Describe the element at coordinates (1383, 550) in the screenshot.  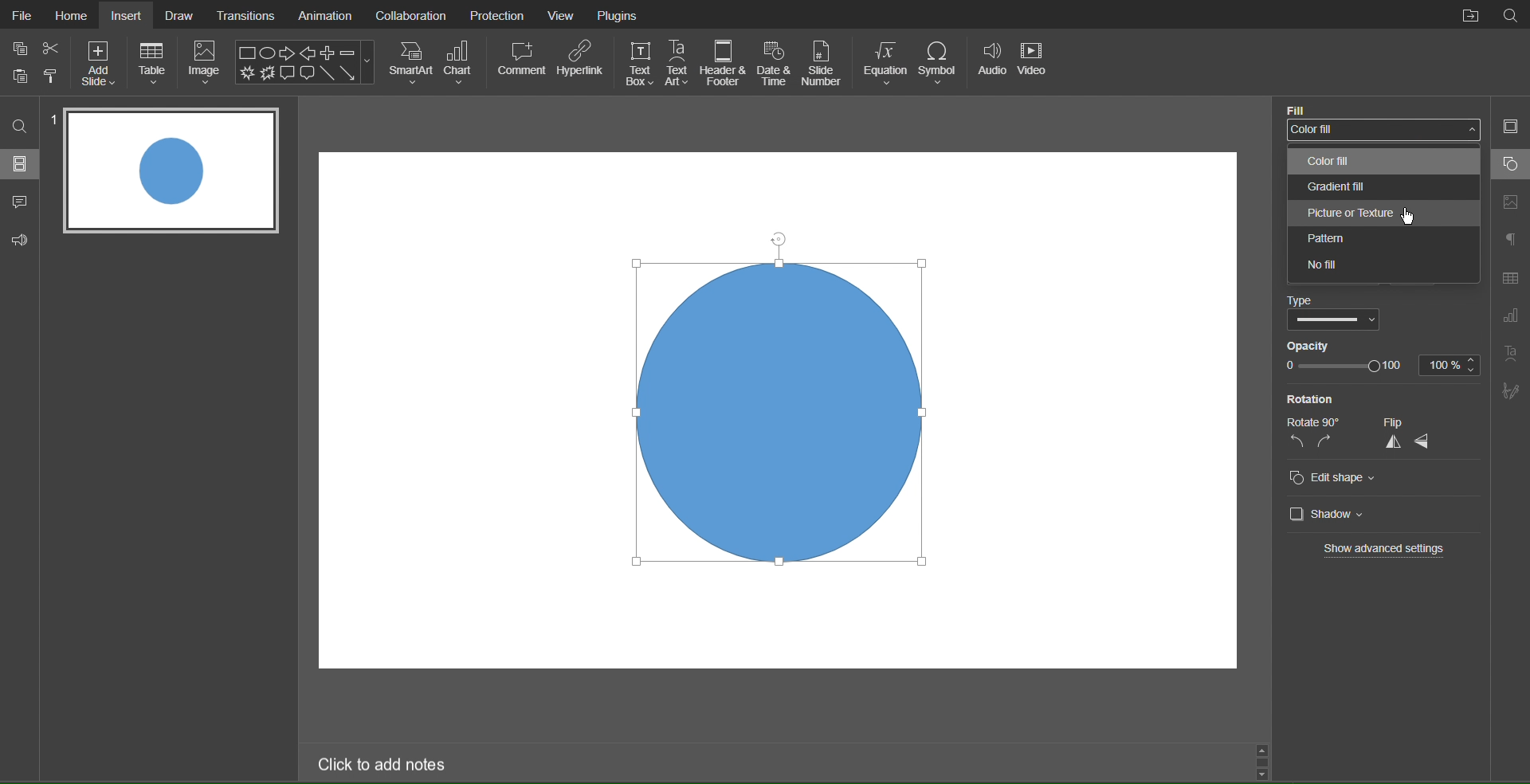
I see `Show advanced settings` at that location.